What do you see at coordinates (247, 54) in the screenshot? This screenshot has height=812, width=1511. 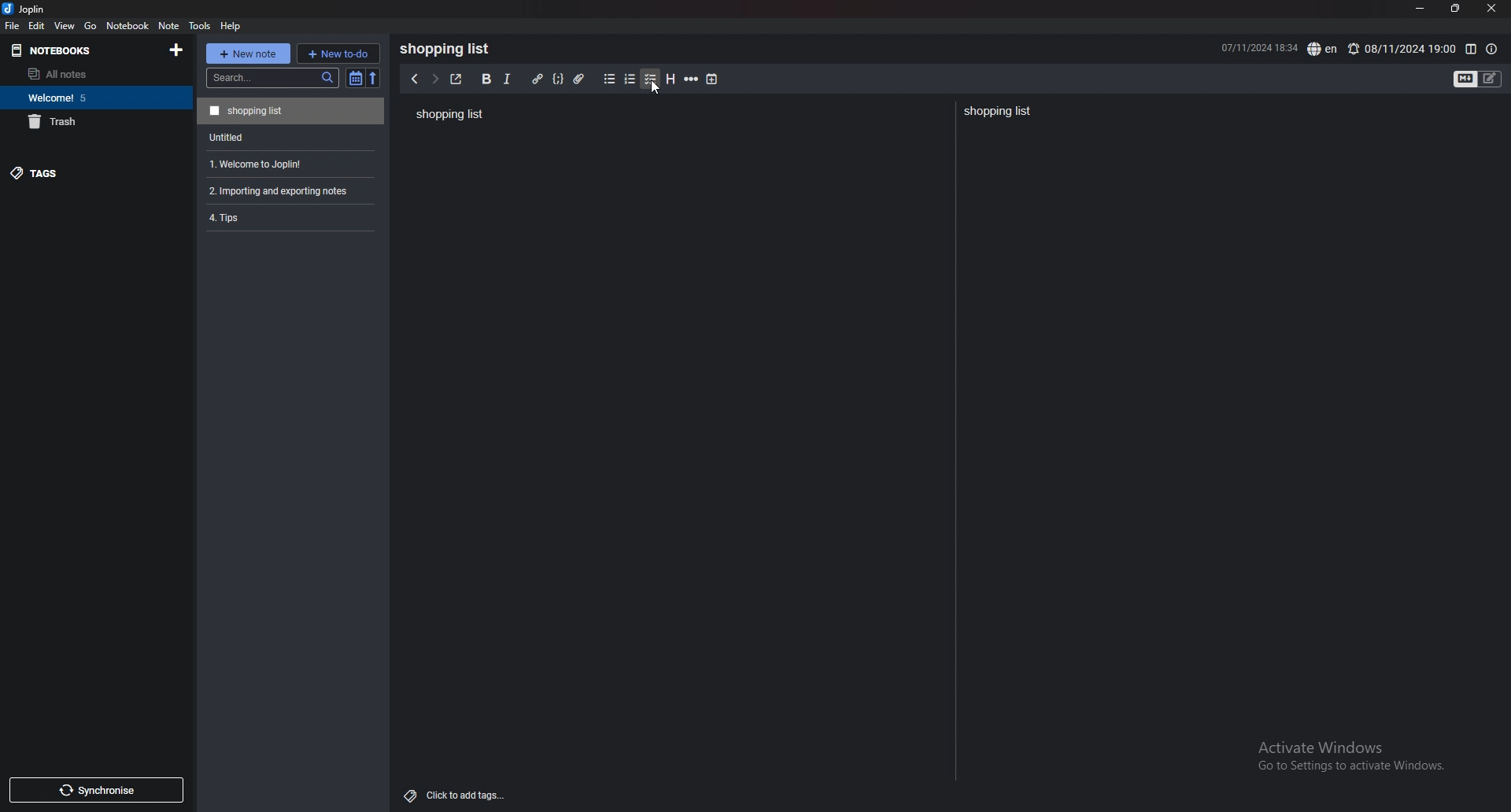 I see `new note` at bounding box center [247, 54].